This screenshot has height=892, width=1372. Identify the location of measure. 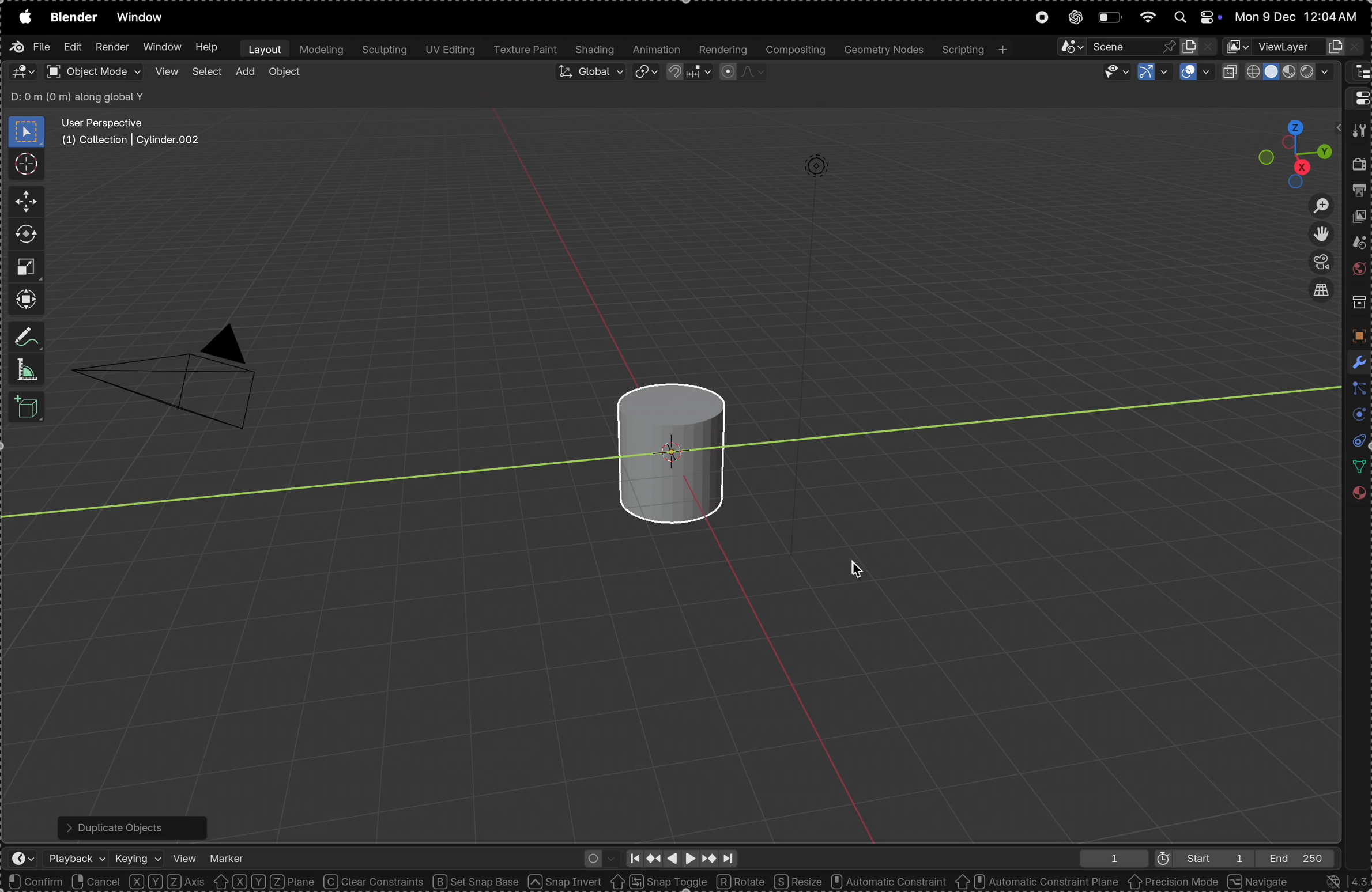
(27, 370).